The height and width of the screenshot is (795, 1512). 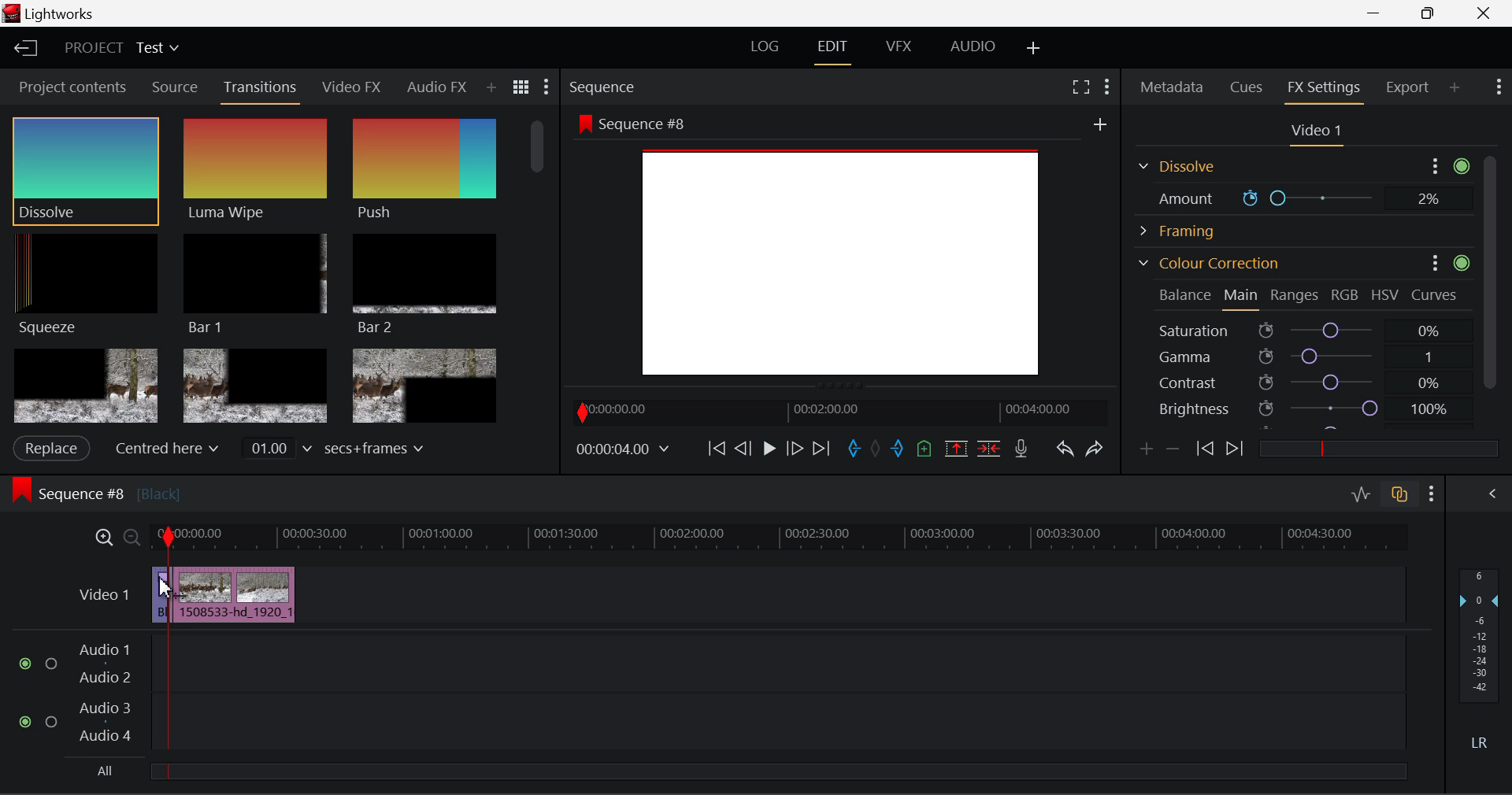 What do you see at coordinates (1410, 87) in the screenshot?
I see `Export Panel` at bounding box center [1410, 87].